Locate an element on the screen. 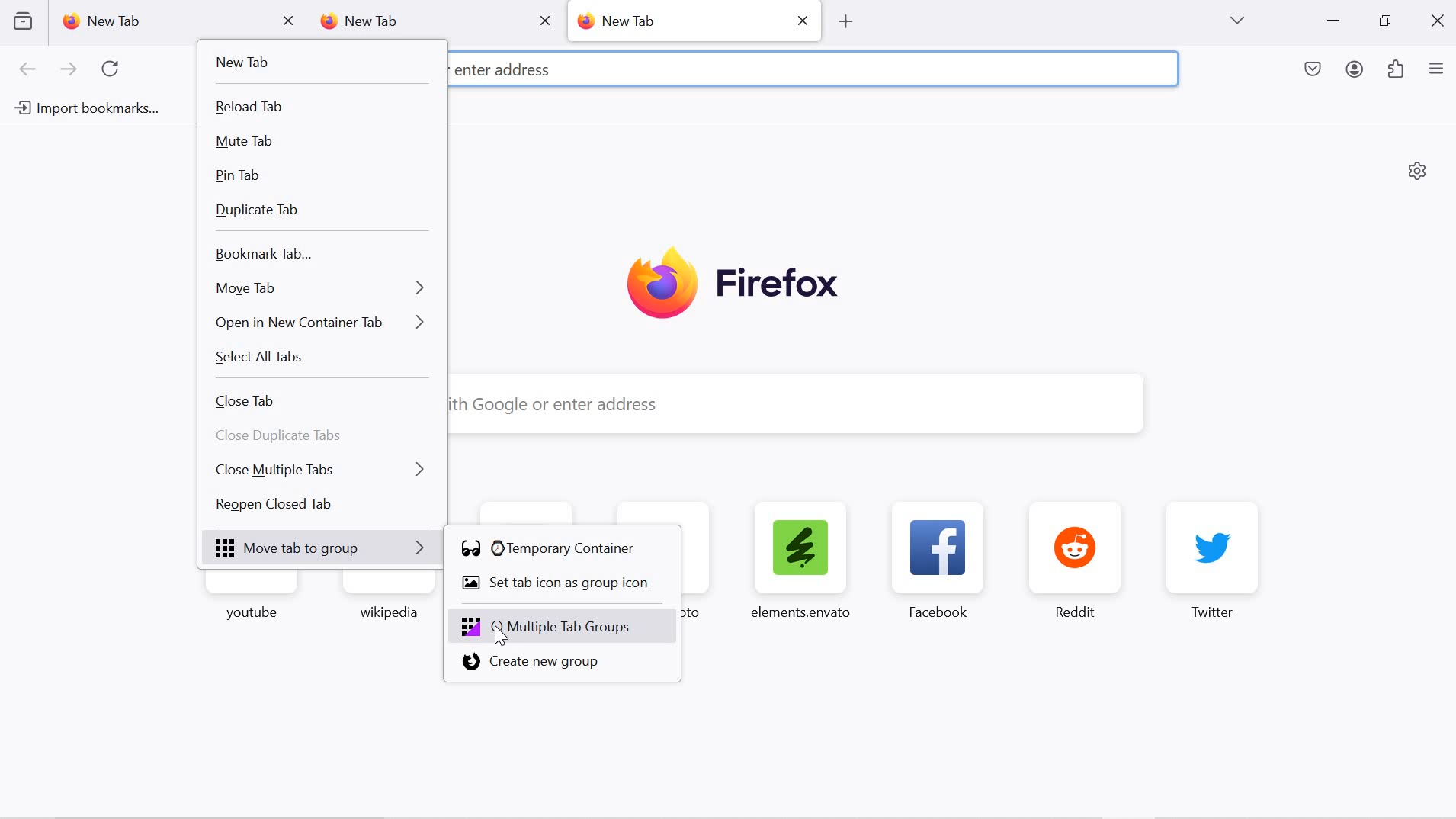 The height and width of the screenshot is (819, 1456). close multiple tabs is located at coordinates (325, 468).